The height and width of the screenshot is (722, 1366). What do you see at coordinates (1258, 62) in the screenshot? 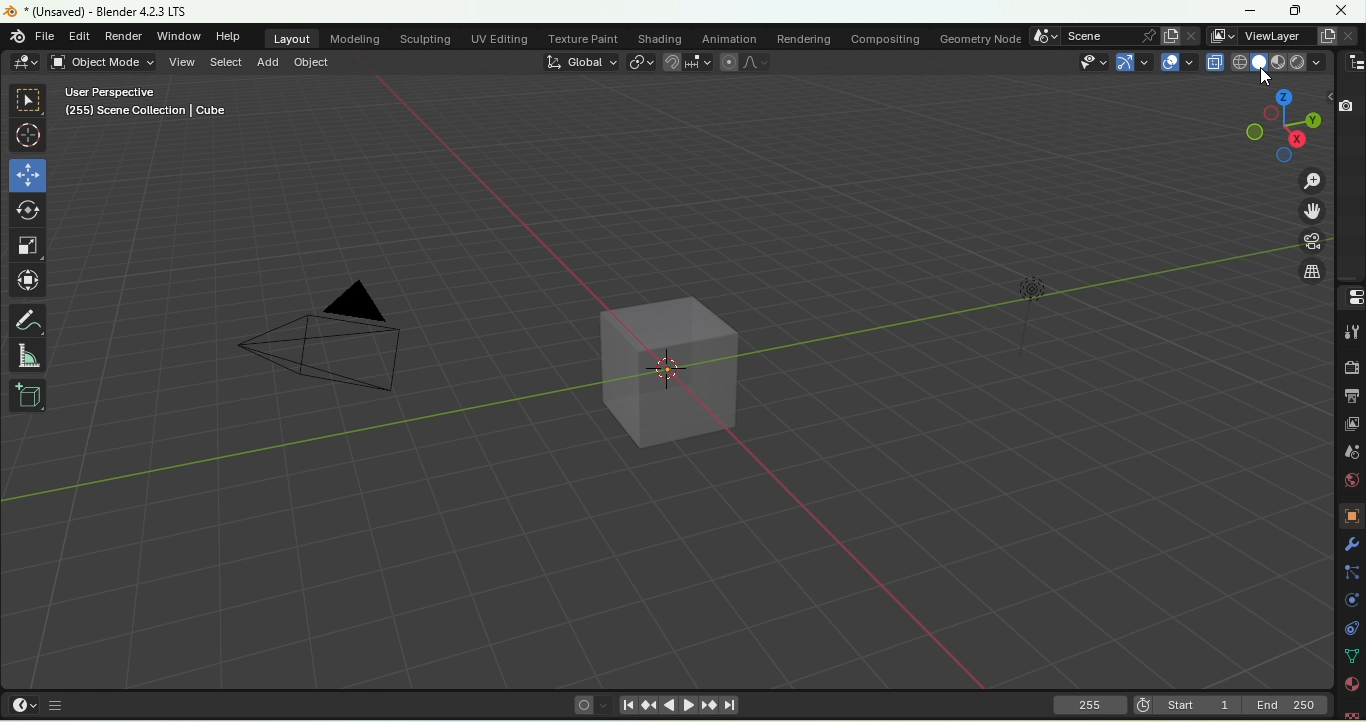
I see `Viewport shading: Solid` at bounding box center [1258, 62].